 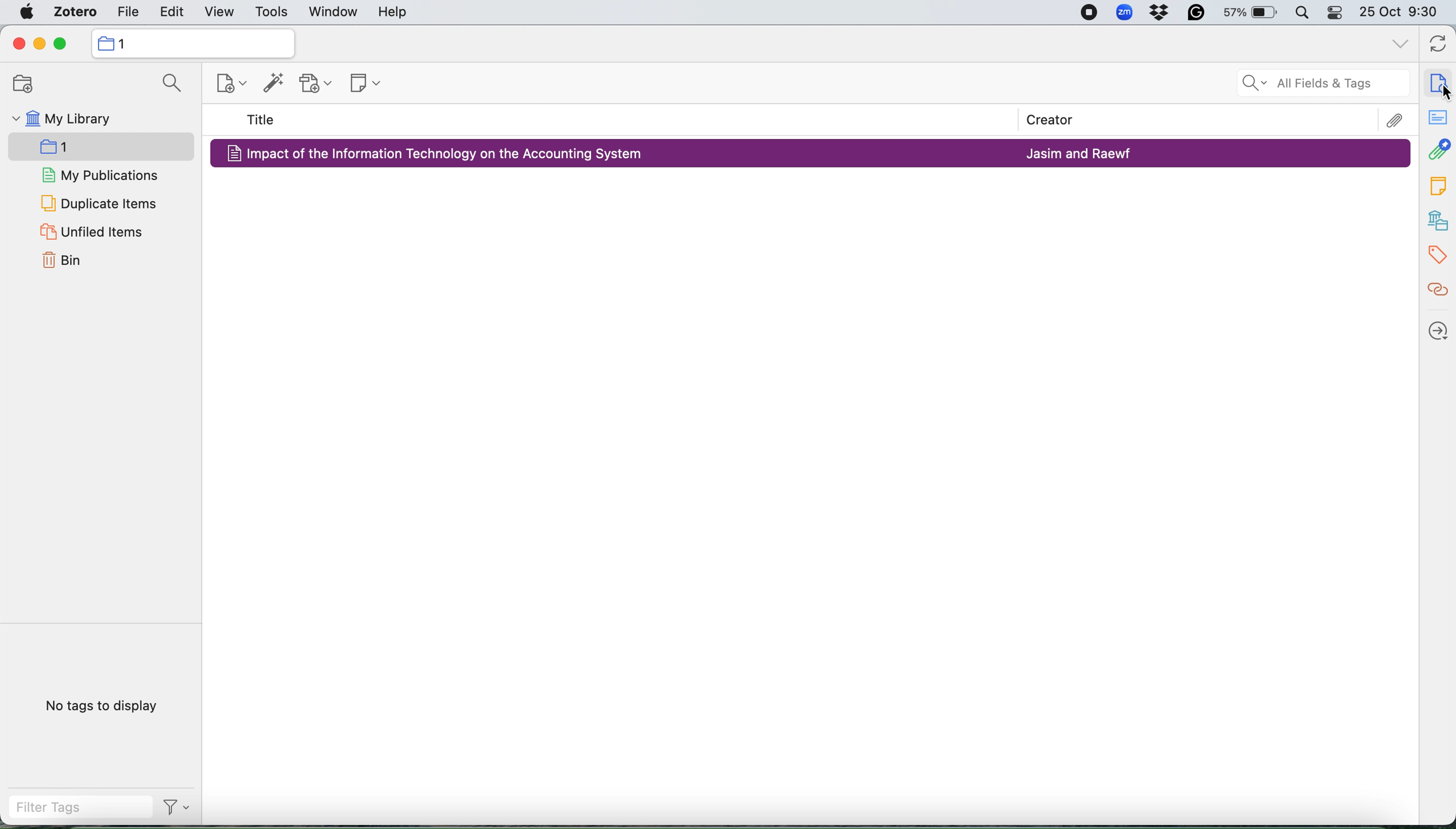 What do you see at coordinates (1302, 13) in the screenshot?
I see `spotlight search` at bounding box center [1302, 13].